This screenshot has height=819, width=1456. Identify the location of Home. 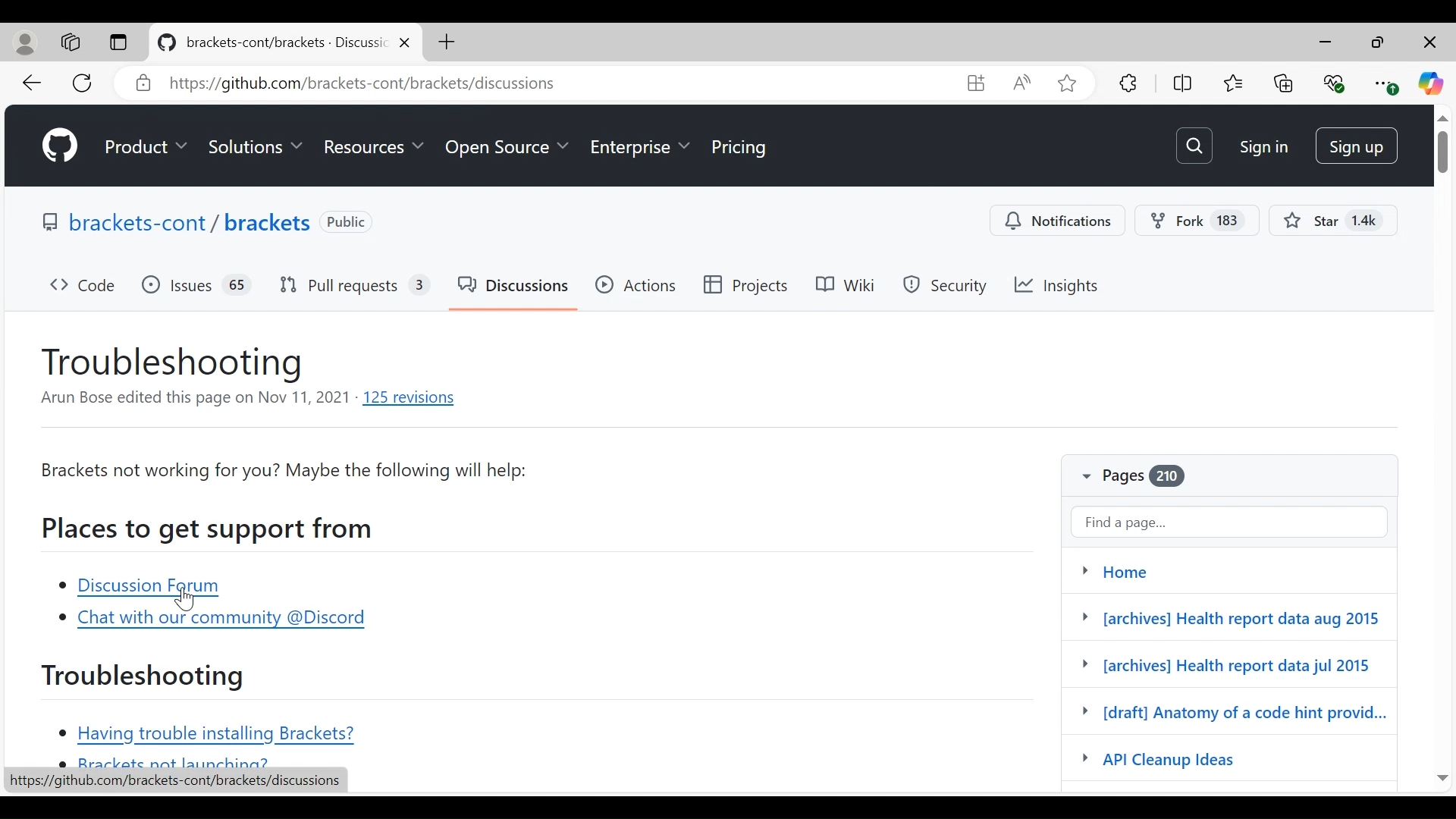
(1226, 568).